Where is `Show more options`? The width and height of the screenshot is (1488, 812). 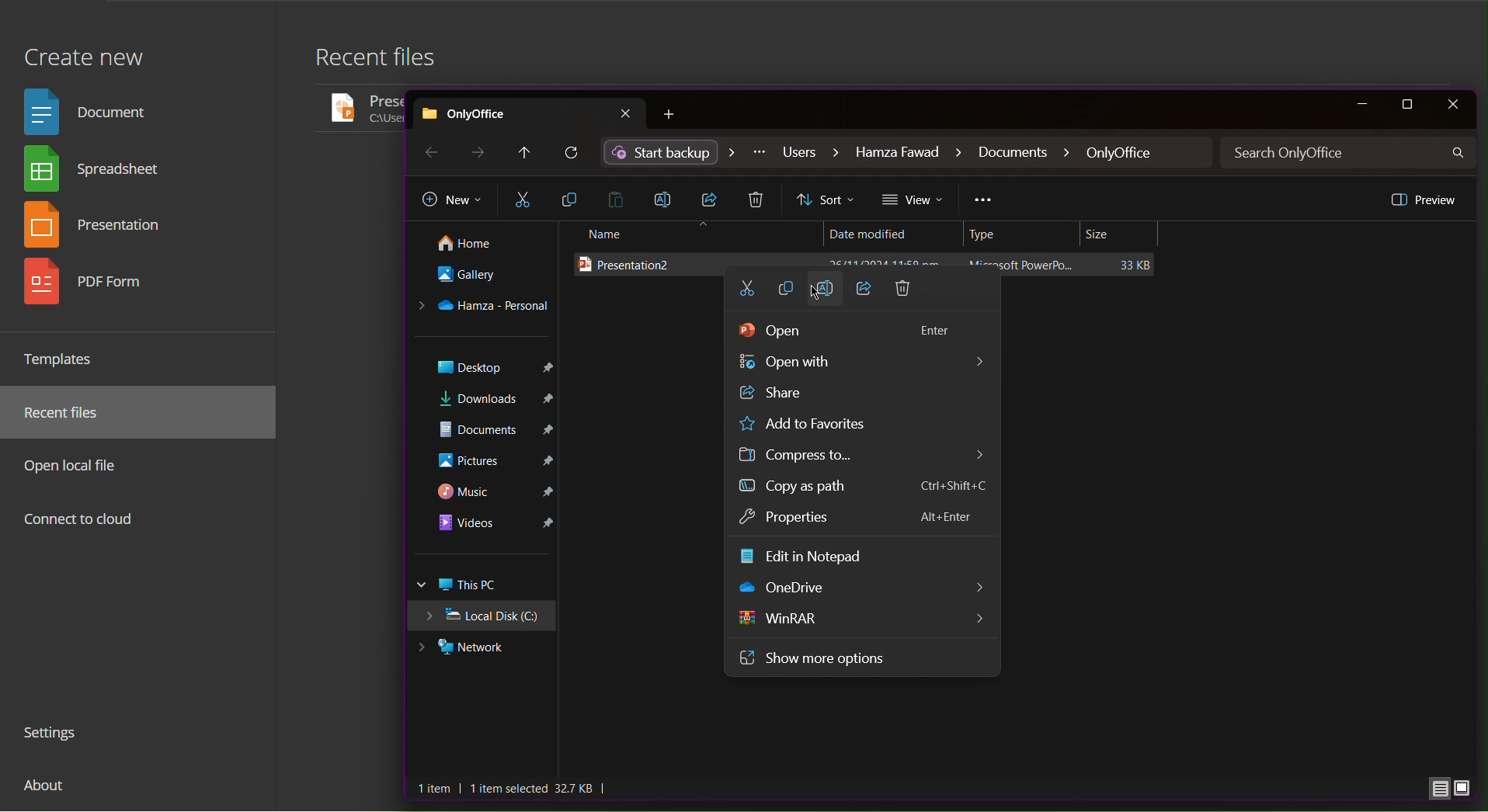
Show more options is located at coordinates (815, 656).